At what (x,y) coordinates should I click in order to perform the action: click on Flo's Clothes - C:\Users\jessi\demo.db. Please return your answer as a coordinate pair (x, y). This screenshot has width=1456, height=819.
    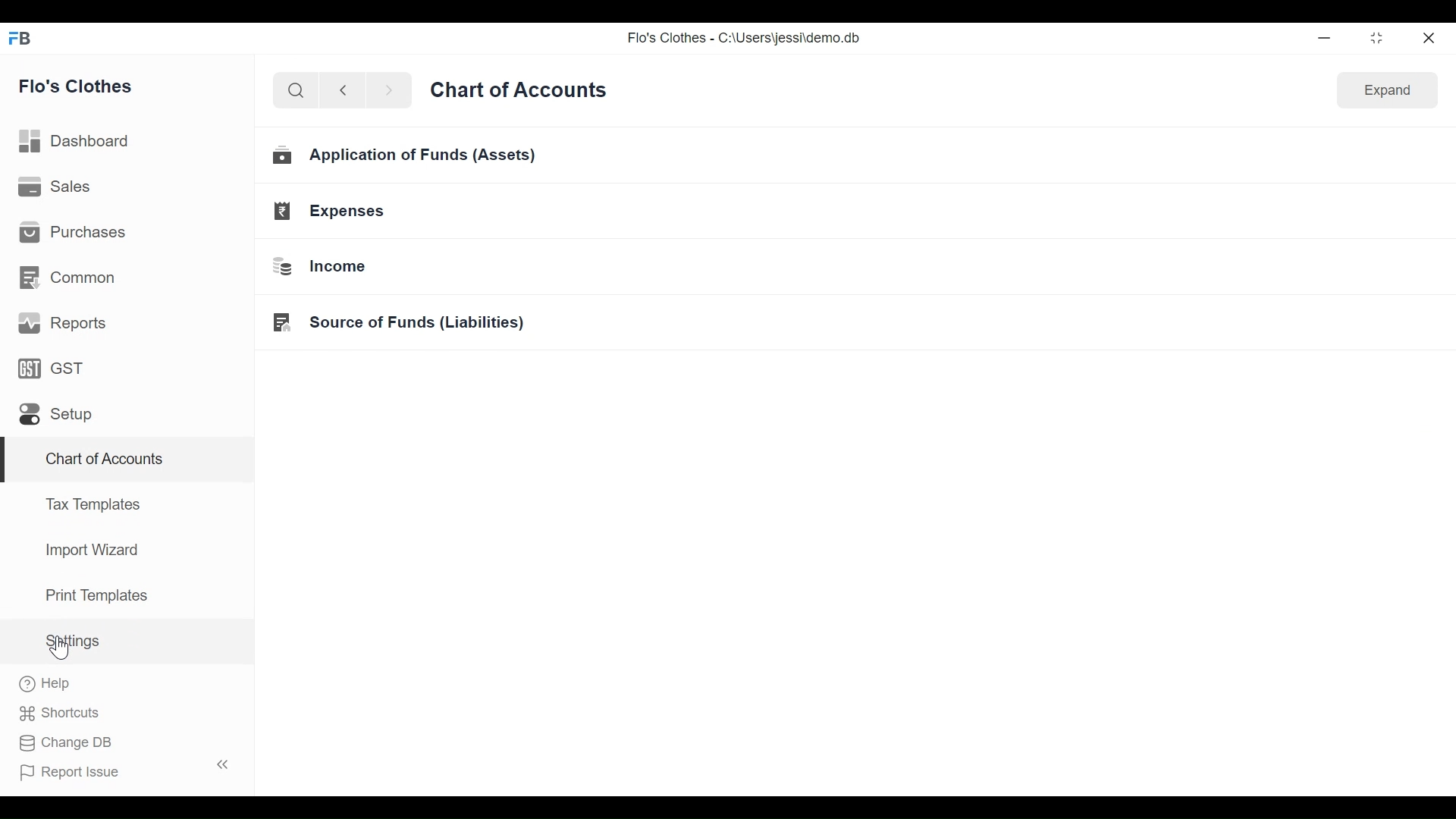
    Looking at the image, I should click on (742, 38).